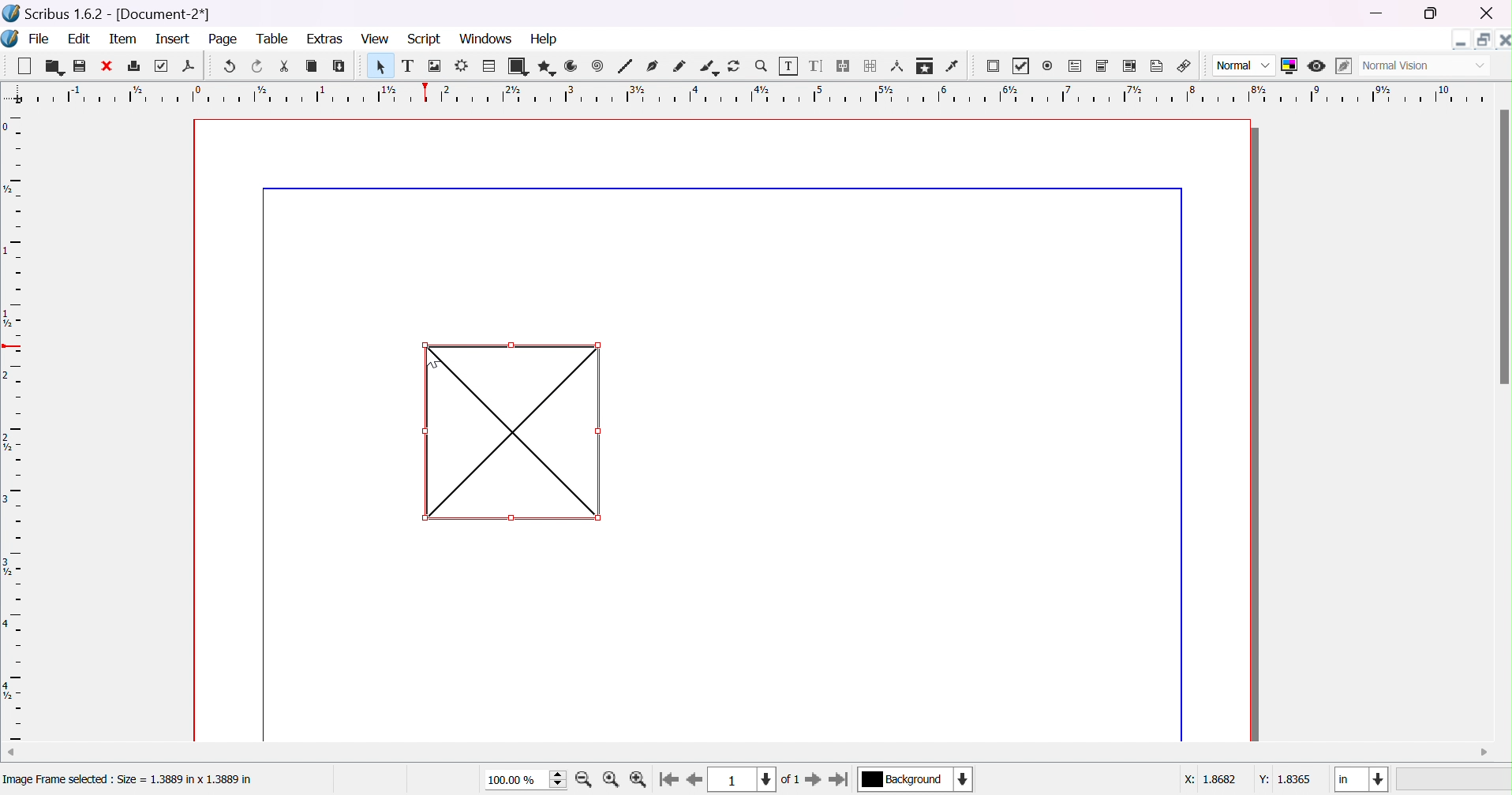  I want to click on in, so click(1362, 780).